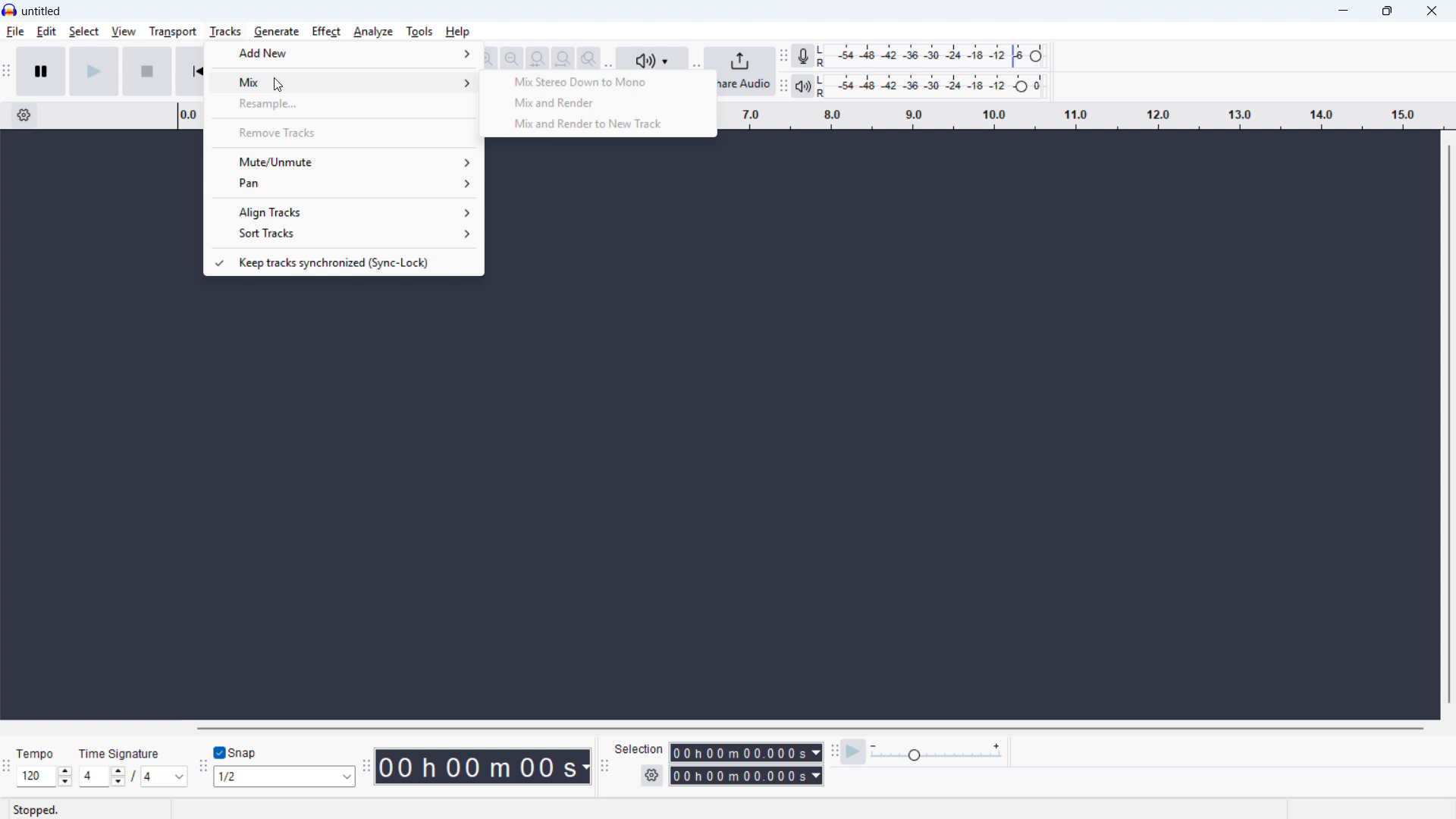 The height and width of the screenshot is (819, 1456). I want to click on Set snapping , so click(285, 777).